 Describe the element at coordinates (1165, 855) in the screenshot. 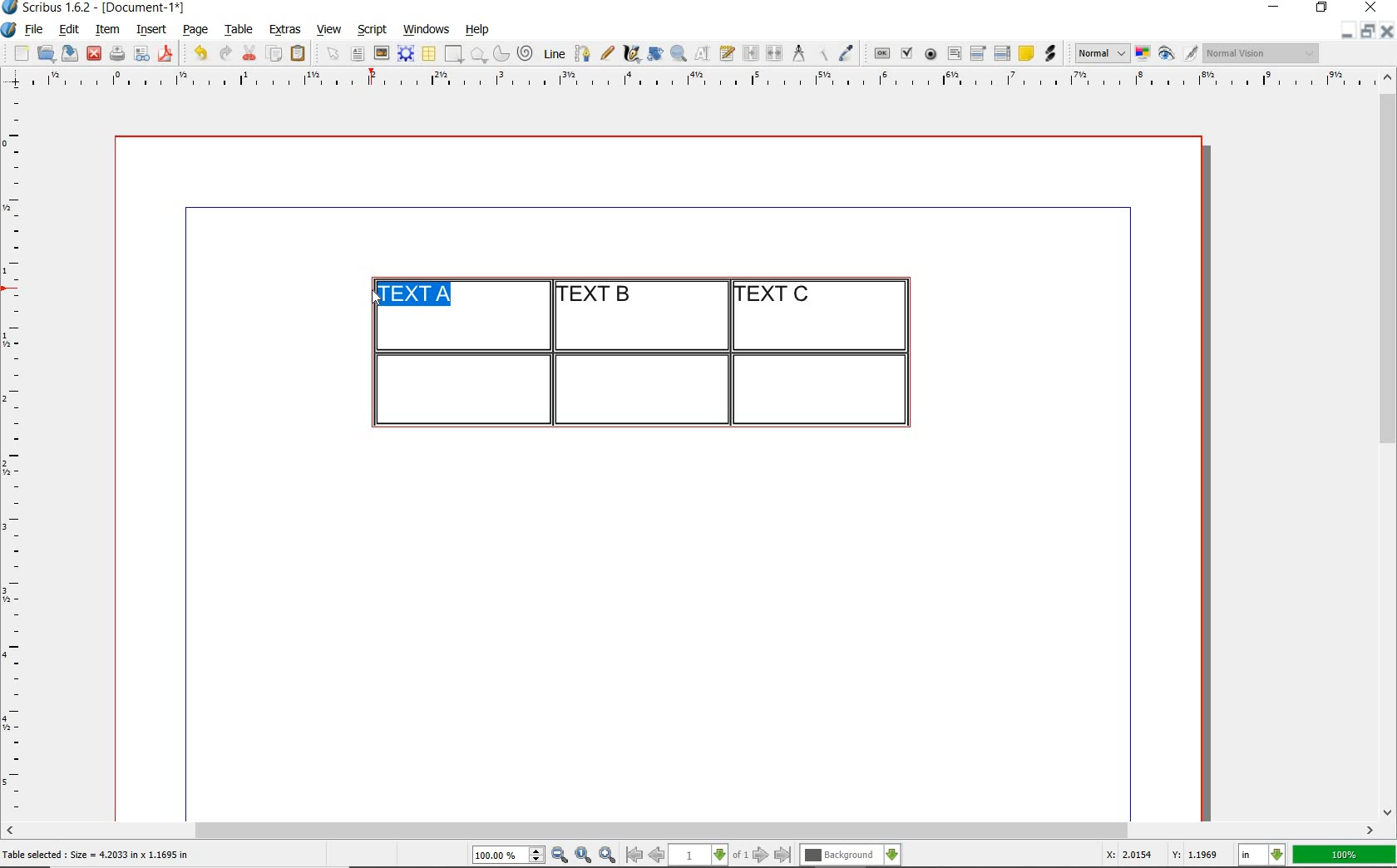

I see `X: 2.0154 Y: 1.1969` at that location.